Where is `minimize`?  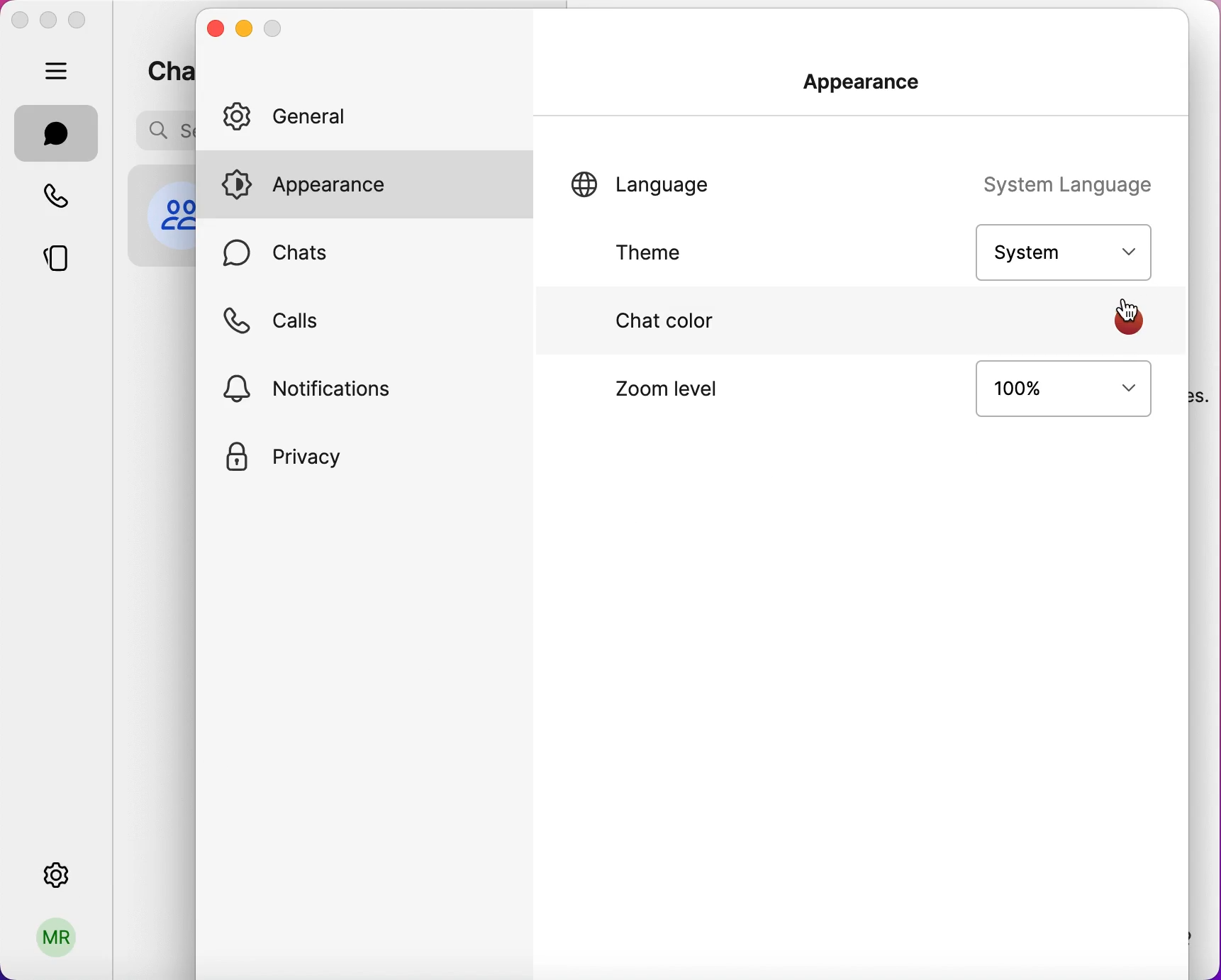
minimize is located at coordinates (47, 19).